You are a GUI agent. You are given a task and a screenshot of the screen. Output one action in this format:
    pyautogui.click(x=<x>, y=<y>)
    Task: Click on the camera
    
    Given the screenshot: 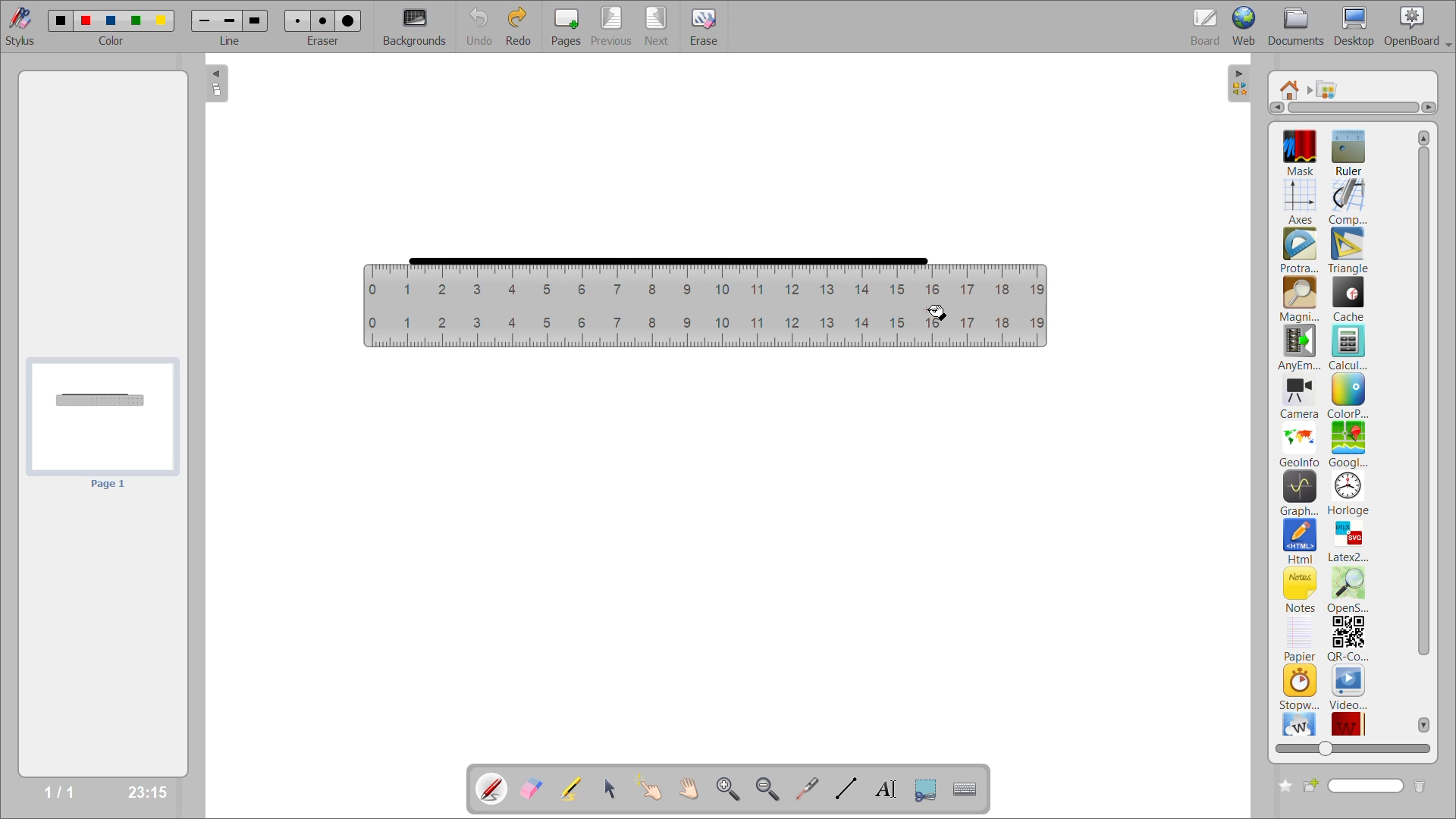 What is the action you would take?
    pyautogui.click(x=1300, y=398)
    